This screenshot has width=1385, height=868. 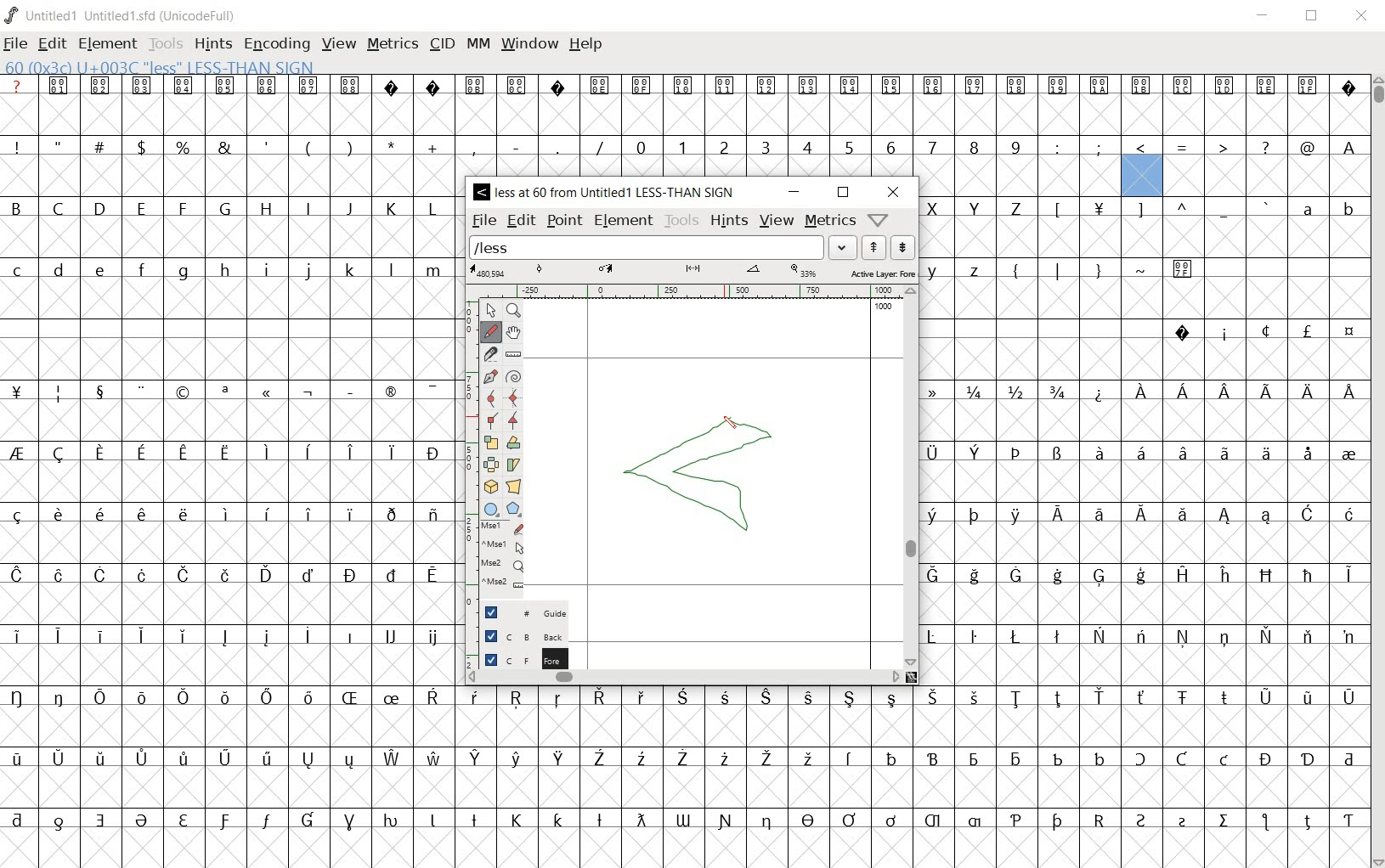 I want to click on symbols, so click(x=1253, y=330).